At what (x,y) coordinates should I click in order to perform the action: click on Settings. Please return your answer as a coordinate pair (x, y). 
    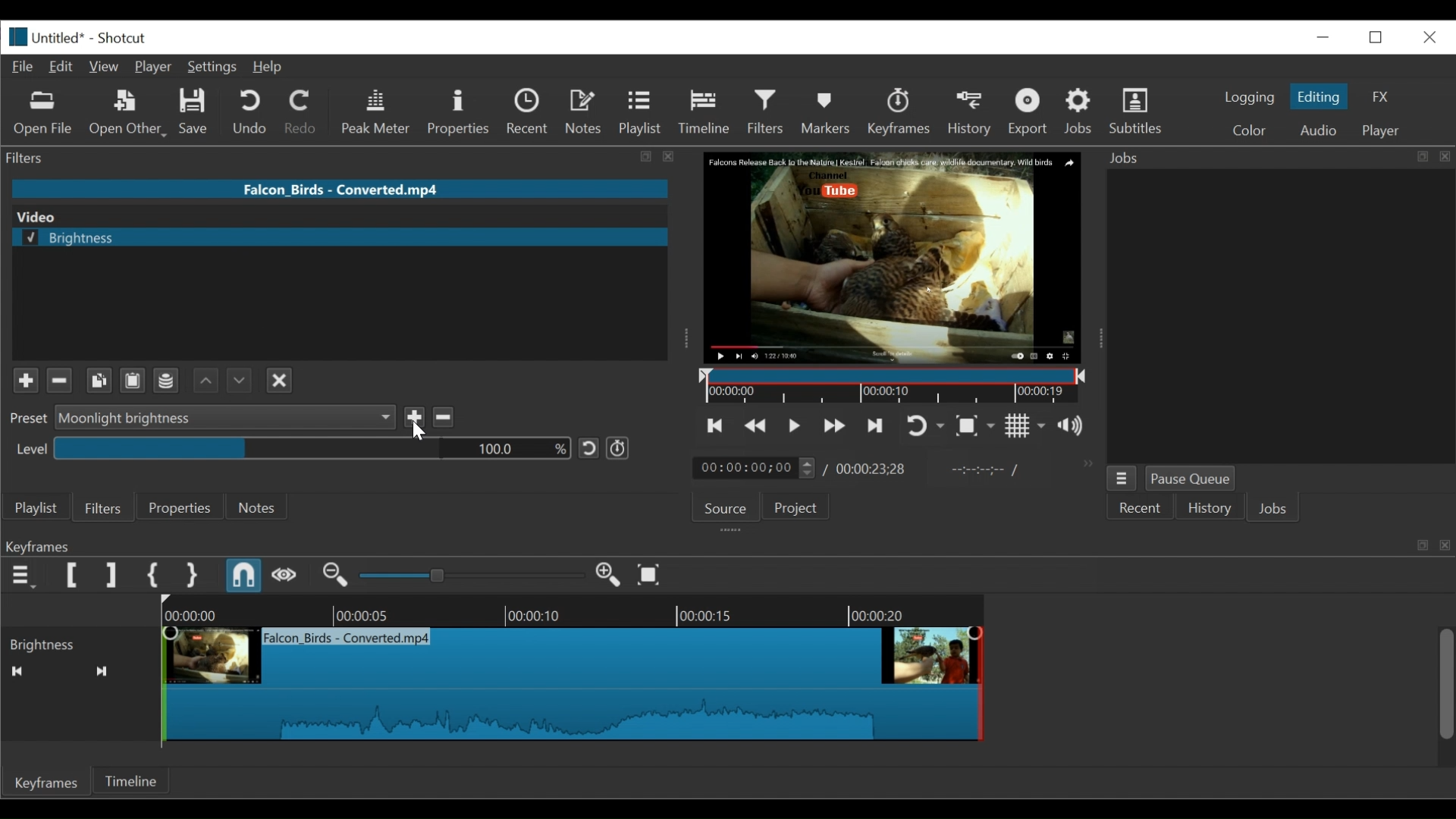
    Looking at the image, I should click on (215, 67).